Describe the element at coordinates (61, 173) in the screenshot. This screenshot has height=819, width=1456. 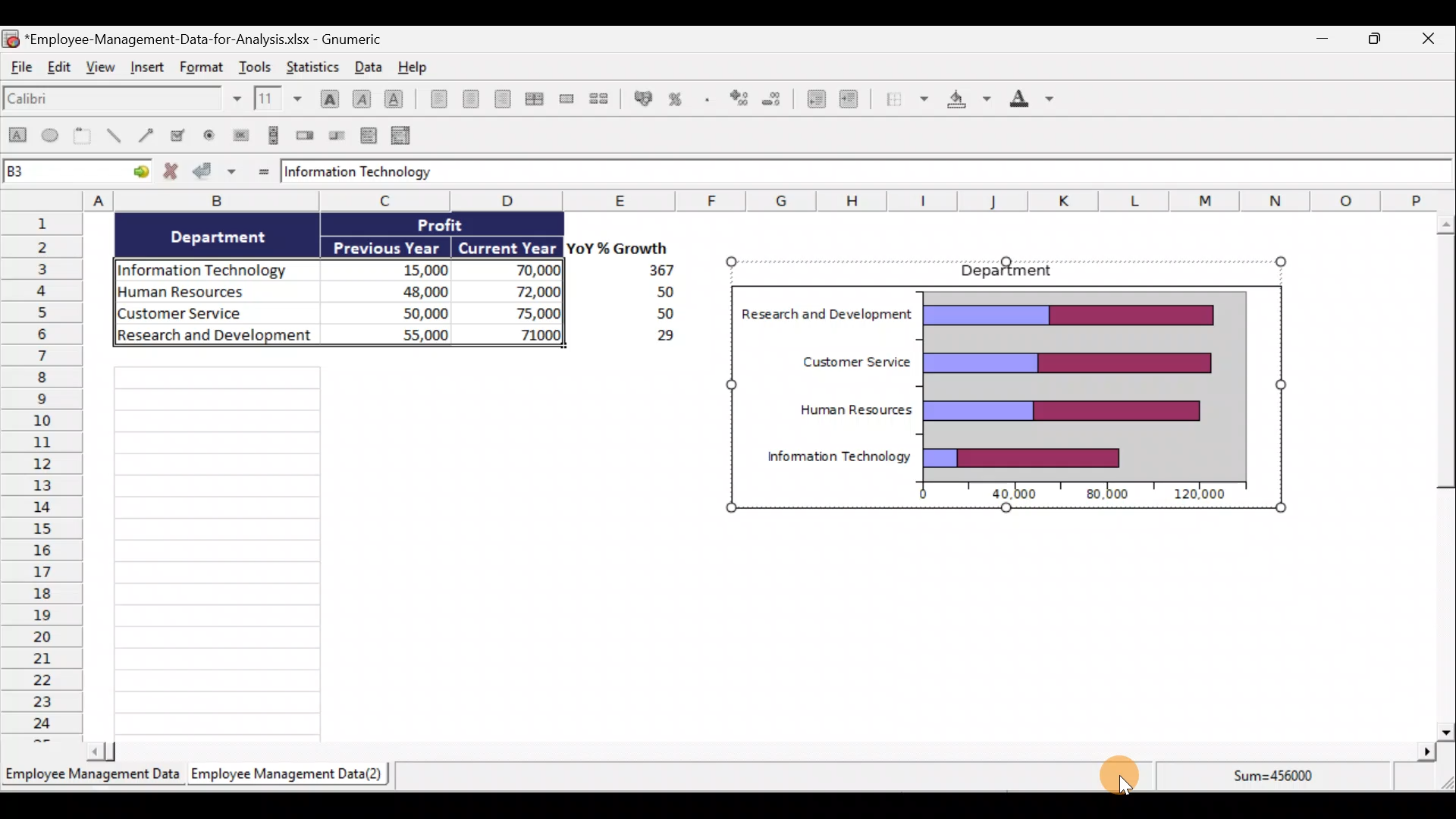
I see `Cell name B3` at that location.